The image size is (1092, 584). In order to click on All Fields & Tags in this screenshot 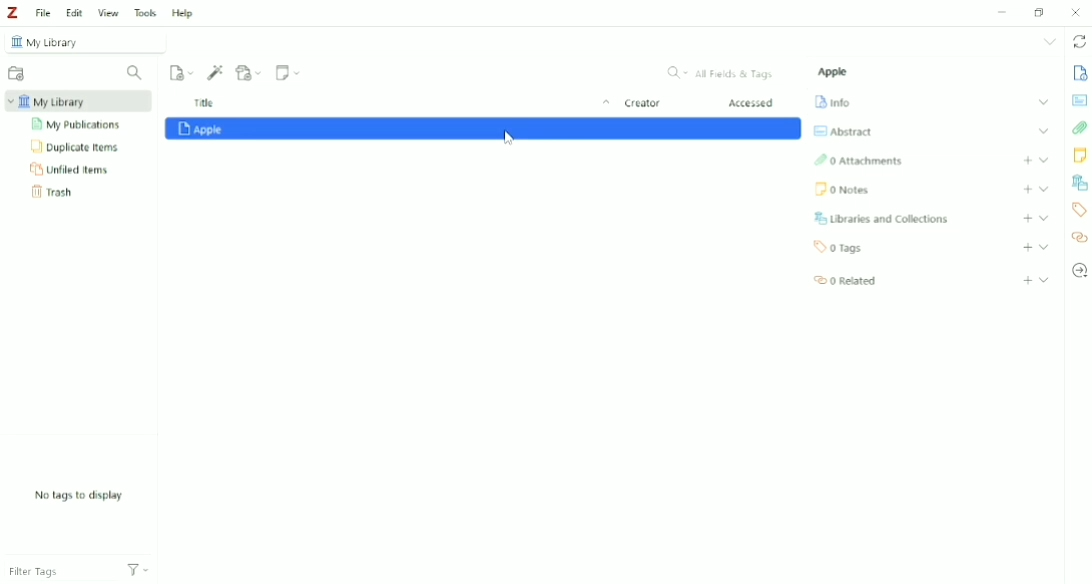, I will do `click(719, 73)`.